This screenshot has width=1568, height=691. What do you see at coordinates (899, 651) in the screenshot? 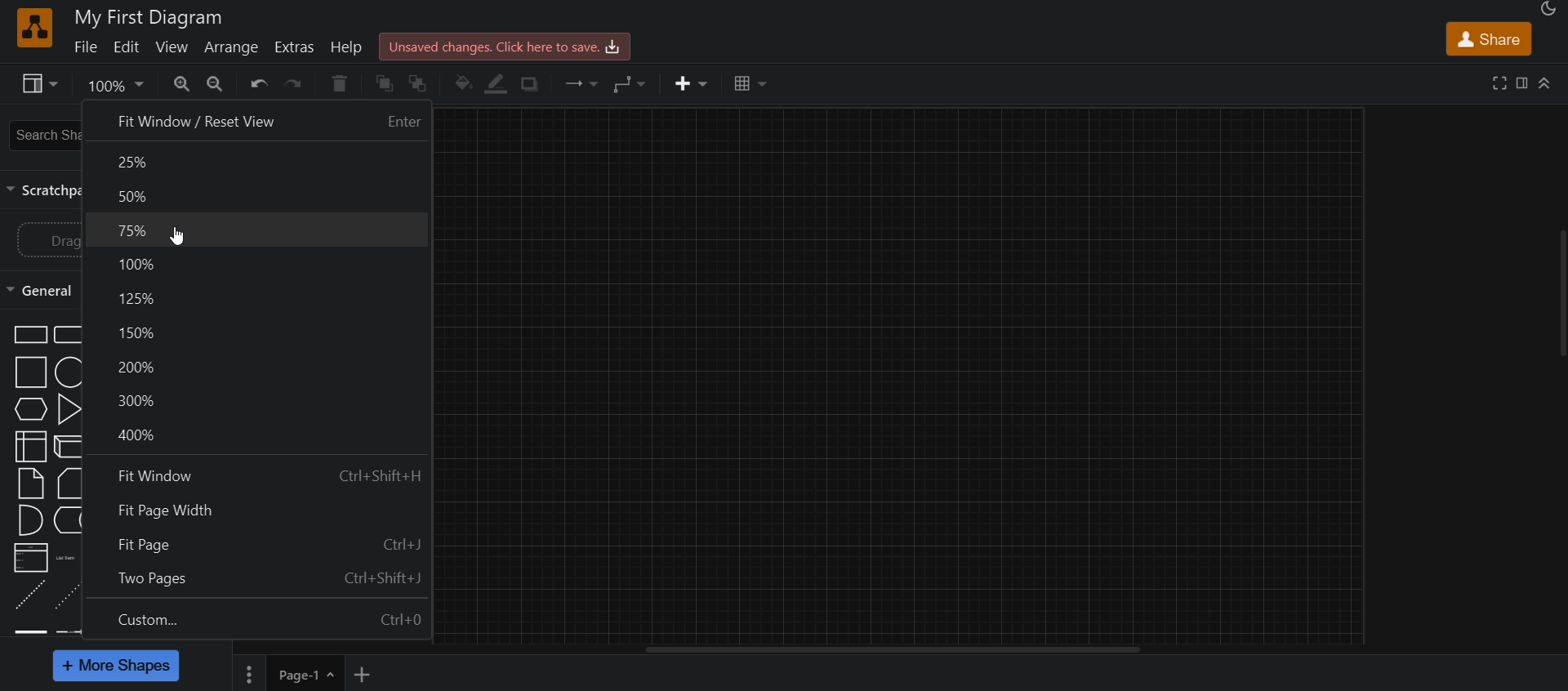
I see `horizontal scroll bar` at bounding box center [899, 651].